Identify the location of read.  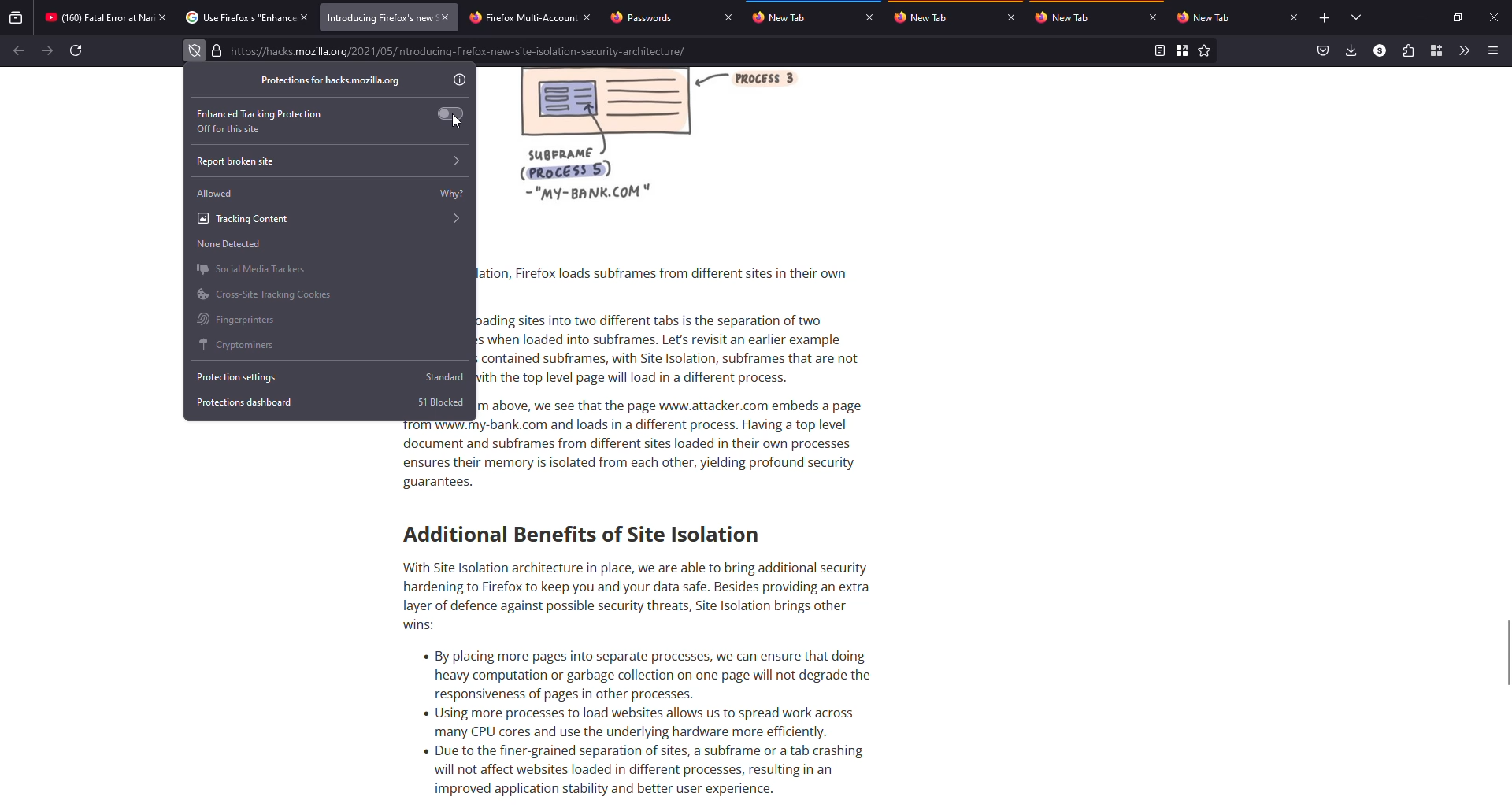
(1158, 50).